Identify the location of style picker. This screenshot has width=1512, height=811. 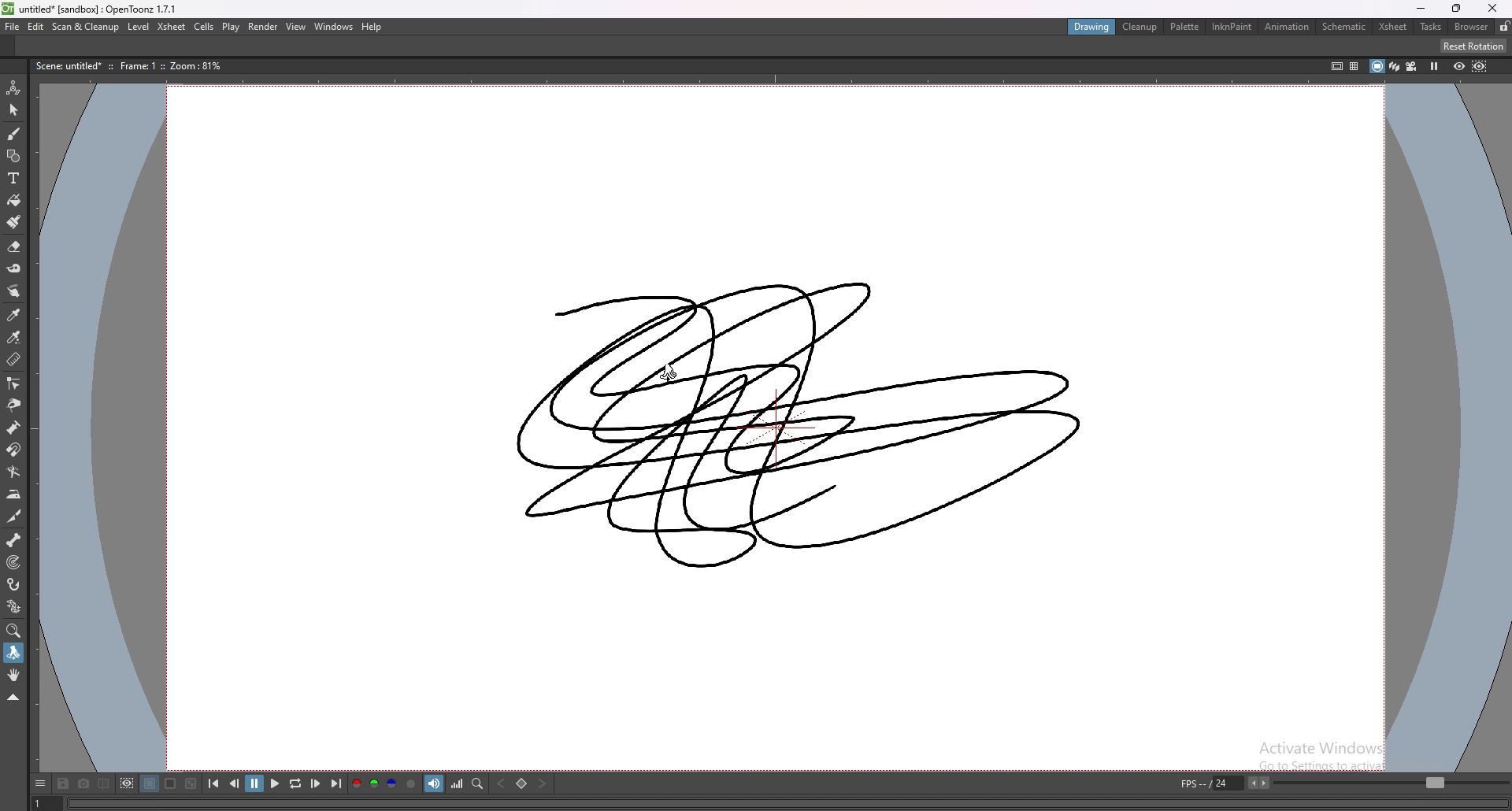
(15, 315).